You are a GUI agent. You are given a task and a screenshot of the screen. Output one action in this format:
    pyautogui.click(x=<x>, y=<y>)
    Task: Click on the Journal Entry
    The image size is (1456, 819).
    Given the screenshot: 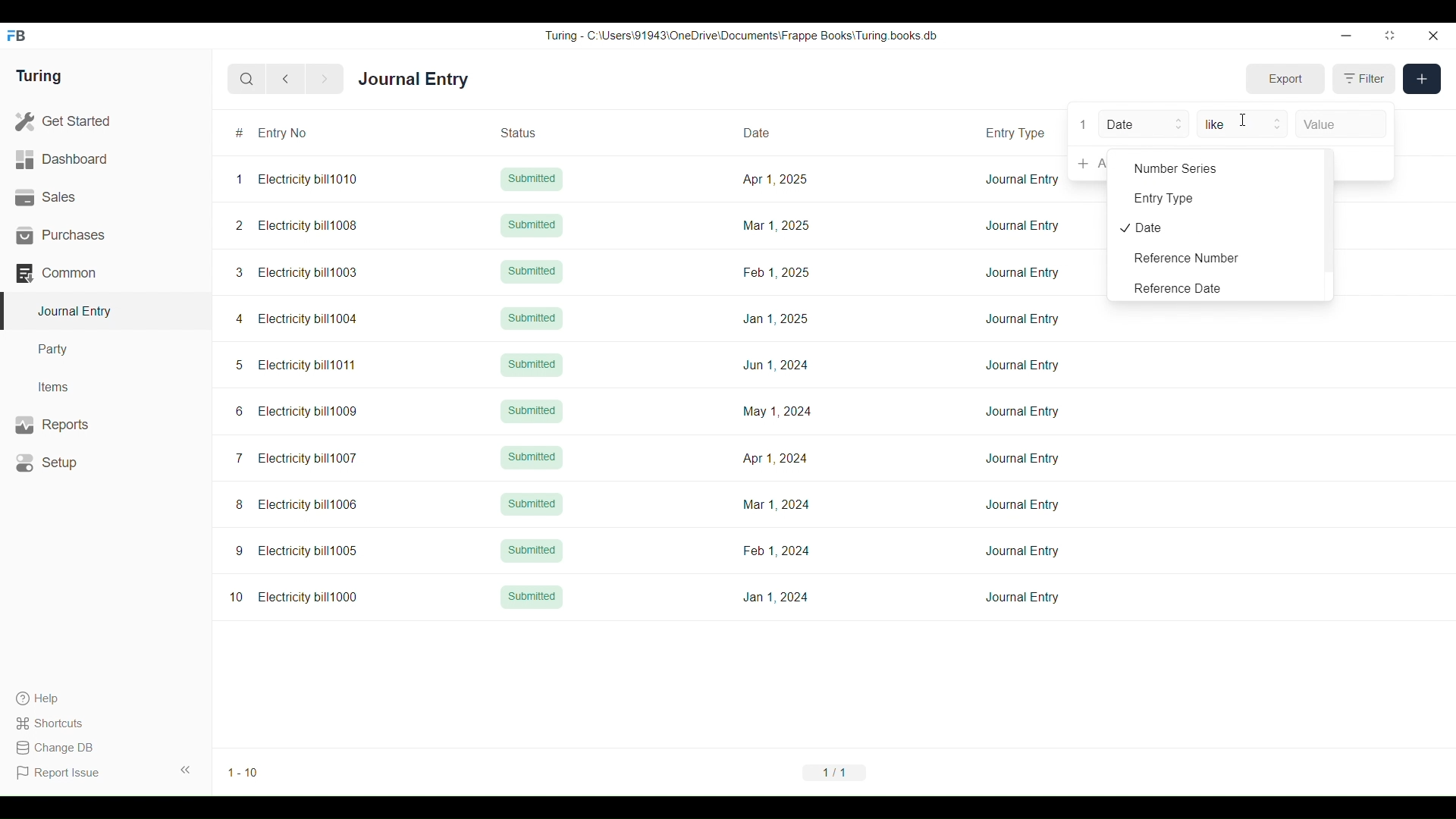 What is the action you would take?
    pyautogui.click(x=1022, y=365)
    